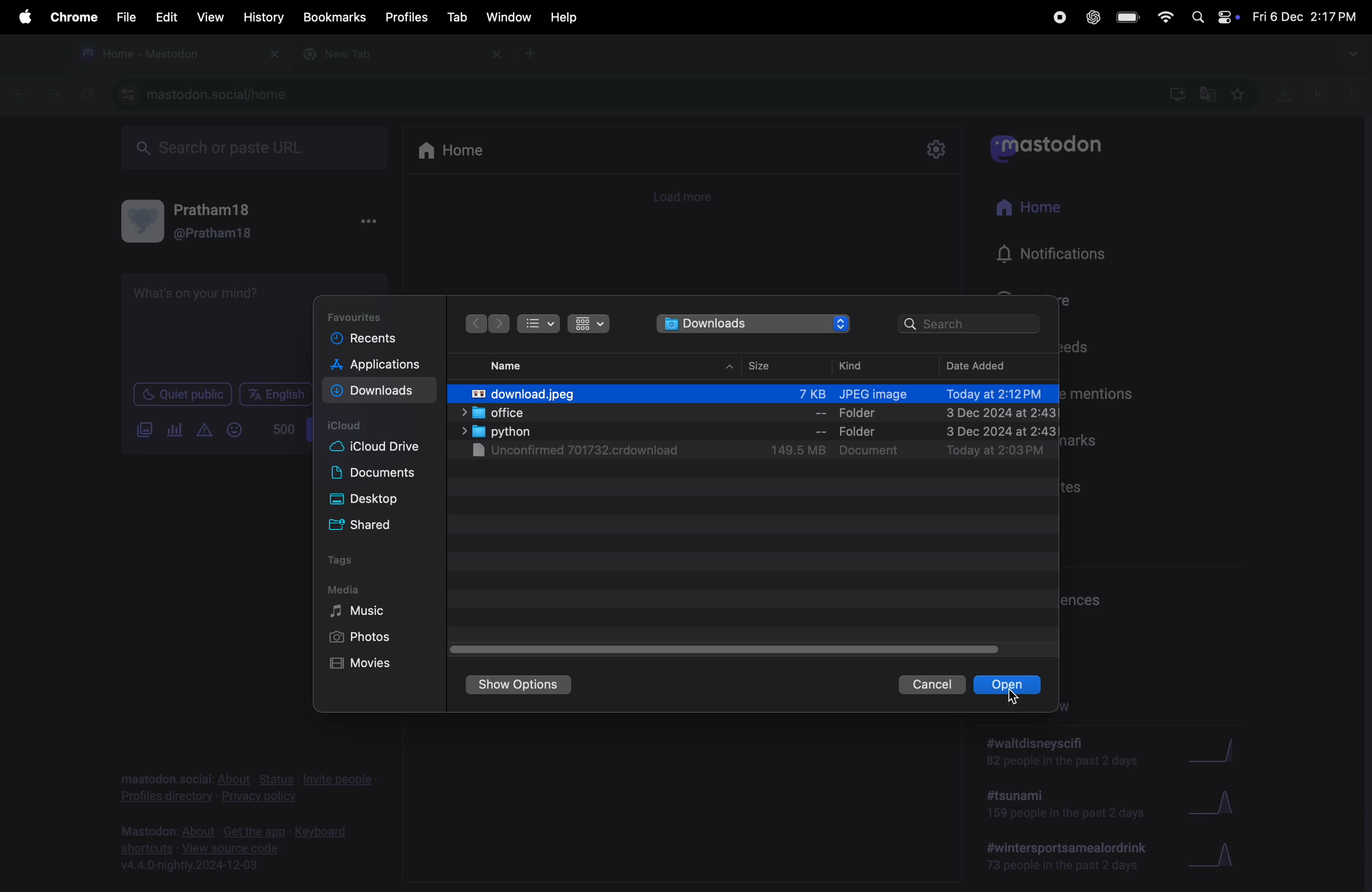 Image resolution: width=1372 pixels, height=892 pixels. Describe the element at coordinates (147, 432) in the screenshot. I see `add image` at that location.